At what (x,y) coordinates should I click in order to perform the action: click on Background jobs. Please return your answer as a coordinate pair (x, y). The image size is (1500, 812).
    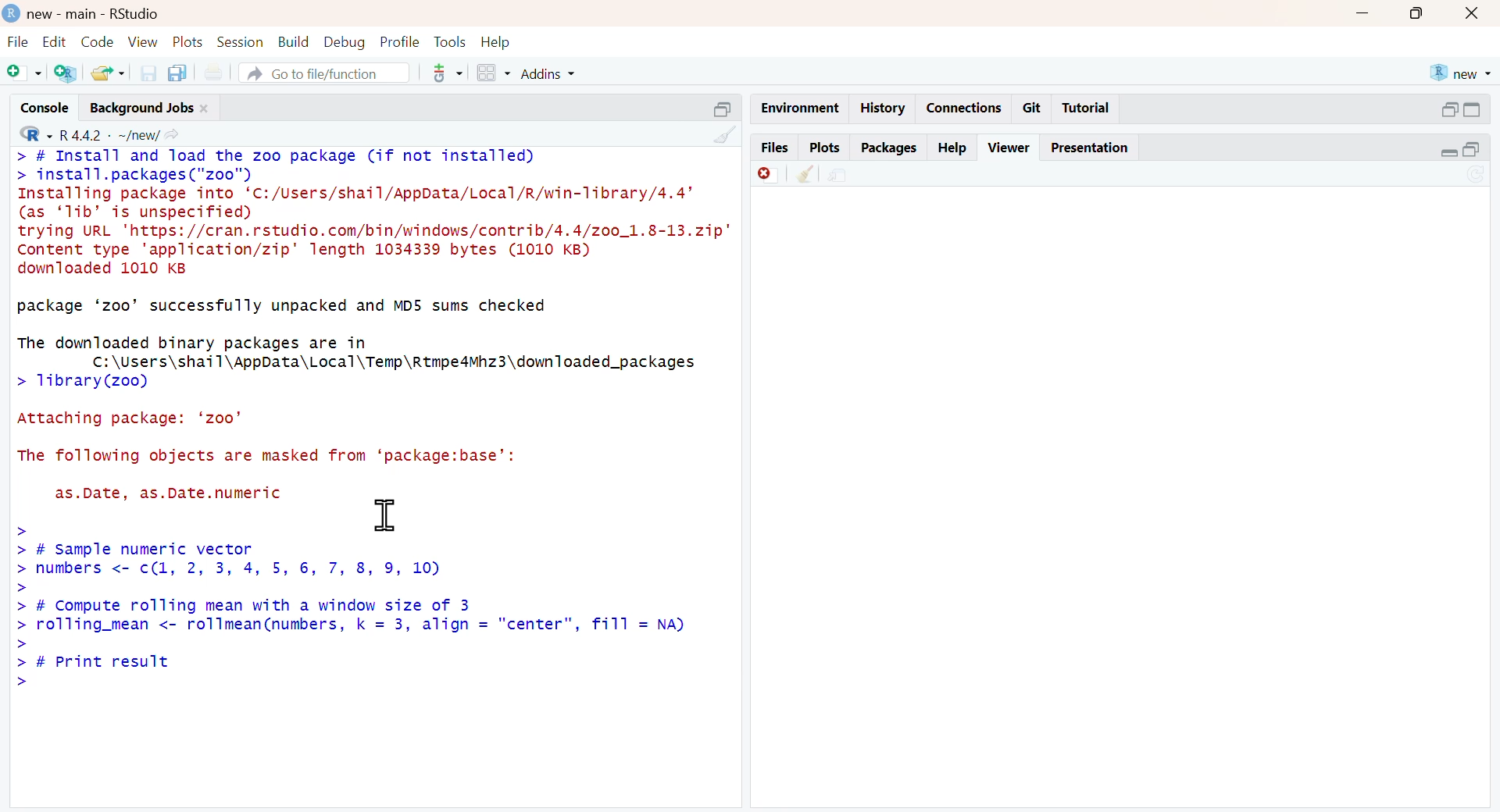
    Looking at the image, I should click on (141, 108).